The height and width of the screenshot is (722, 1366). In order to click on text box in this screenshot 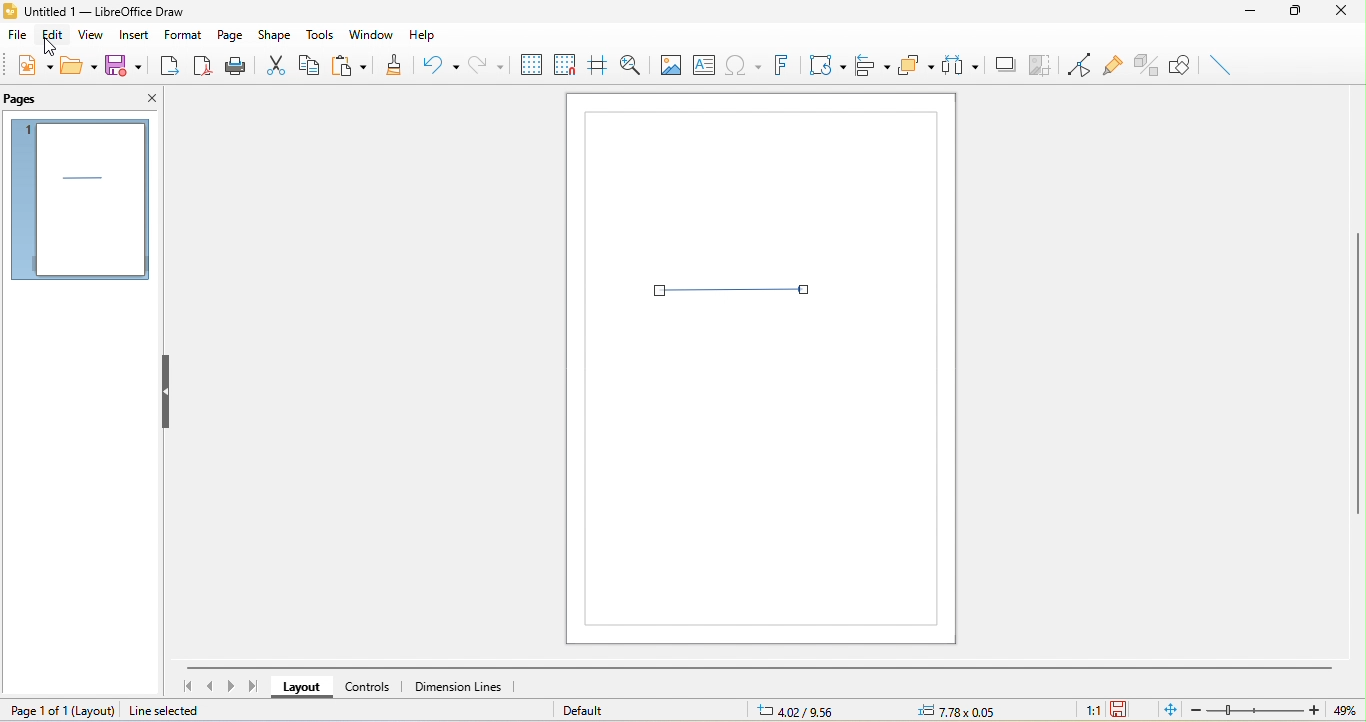, I will do `click(704, 64)`.